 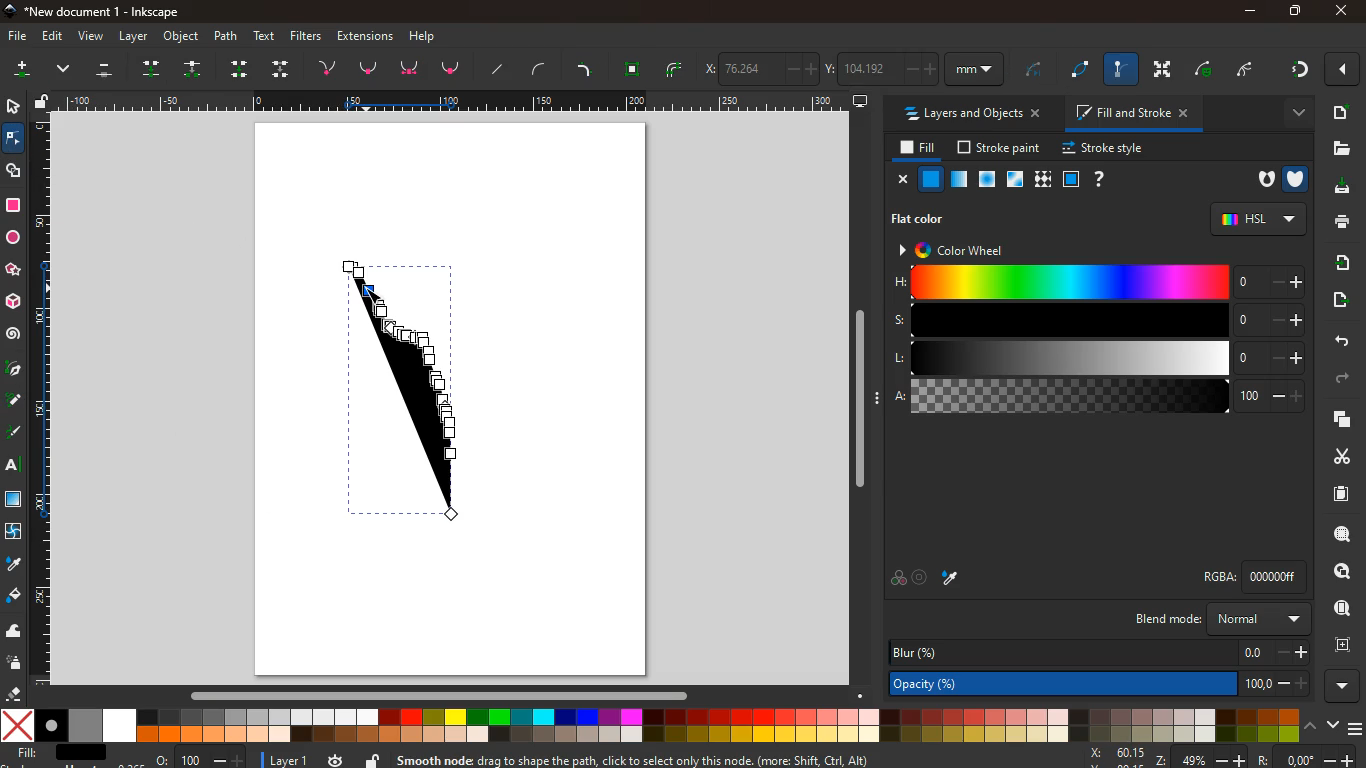 I want to click on base, so click(x=412, y=69).